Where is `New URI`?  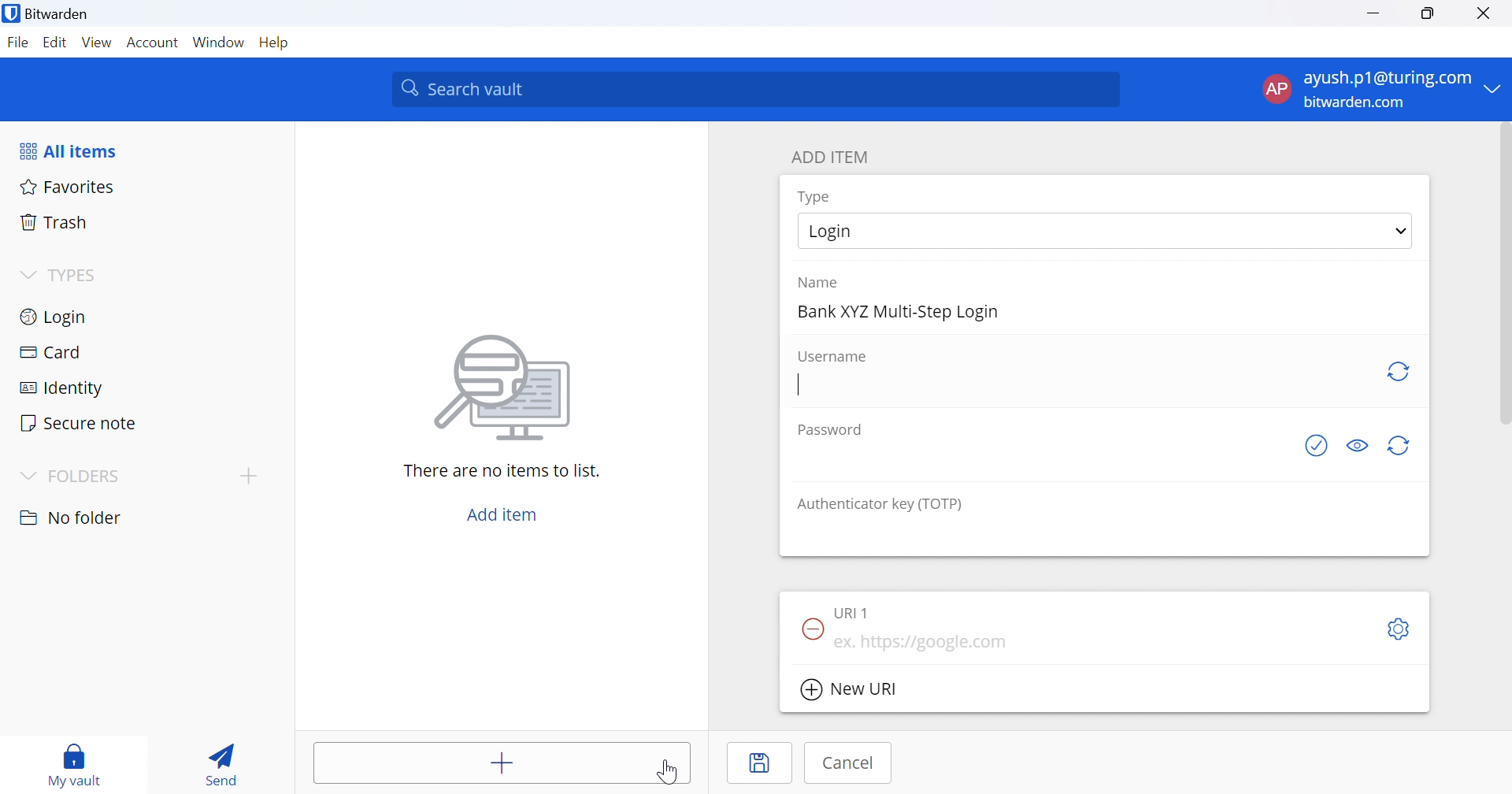
New URI is located at coordinates (848, 690).